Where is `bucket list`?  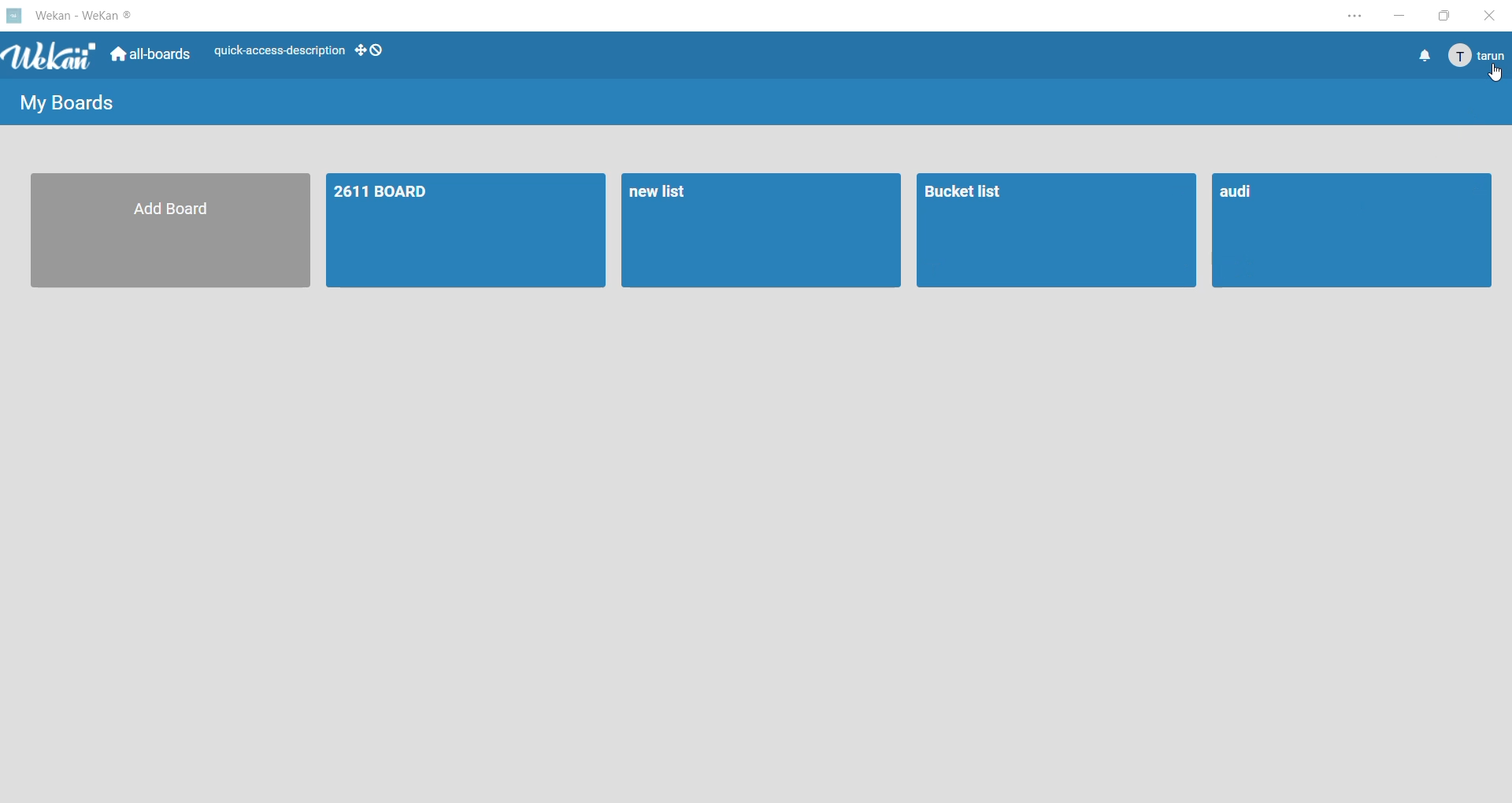
bucket list is located at coordinates (1054, 230).